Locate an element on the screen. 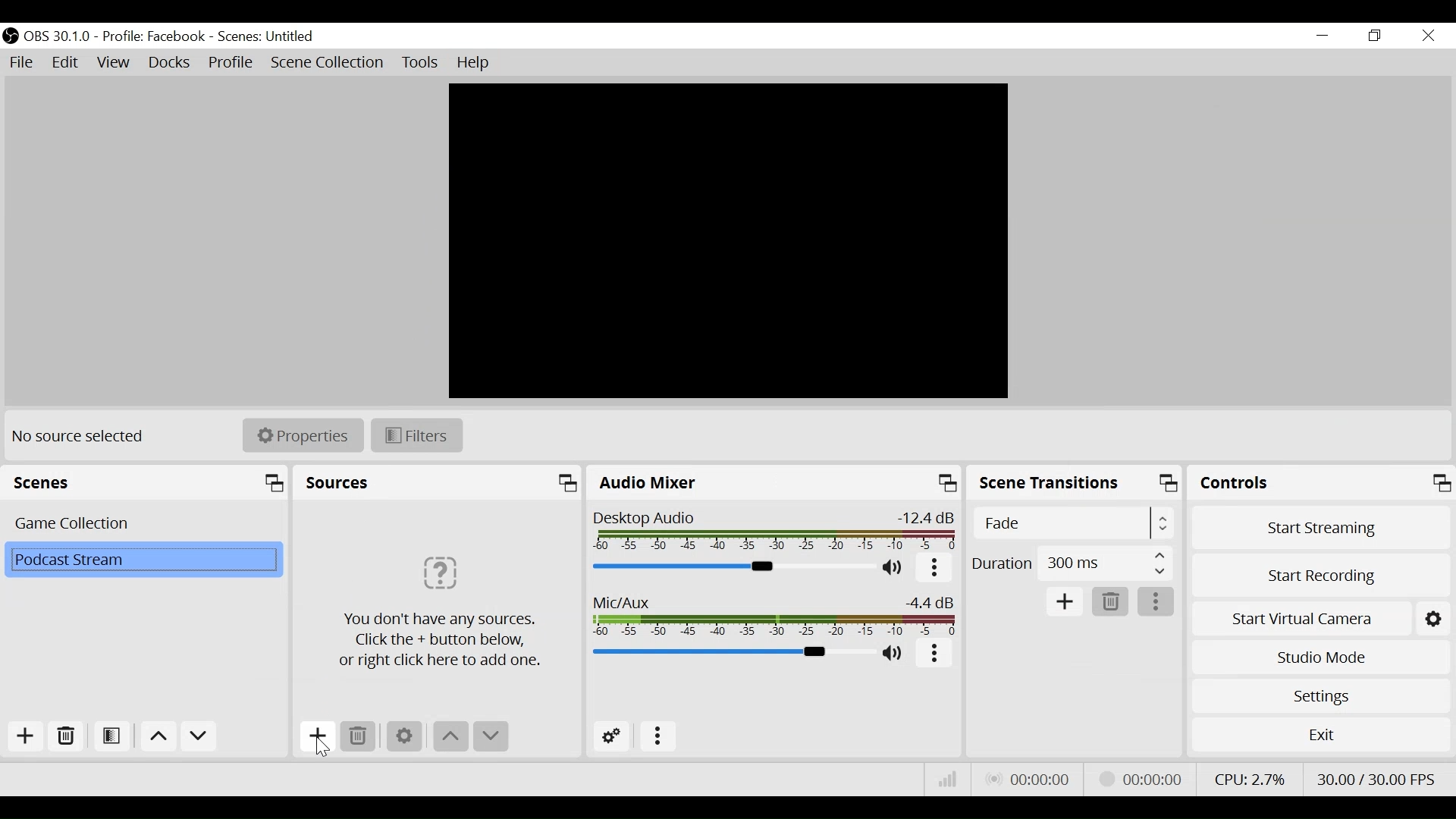 The width and height of the screenshot is (1456, 819). Add is located at coordinates (24, 736).